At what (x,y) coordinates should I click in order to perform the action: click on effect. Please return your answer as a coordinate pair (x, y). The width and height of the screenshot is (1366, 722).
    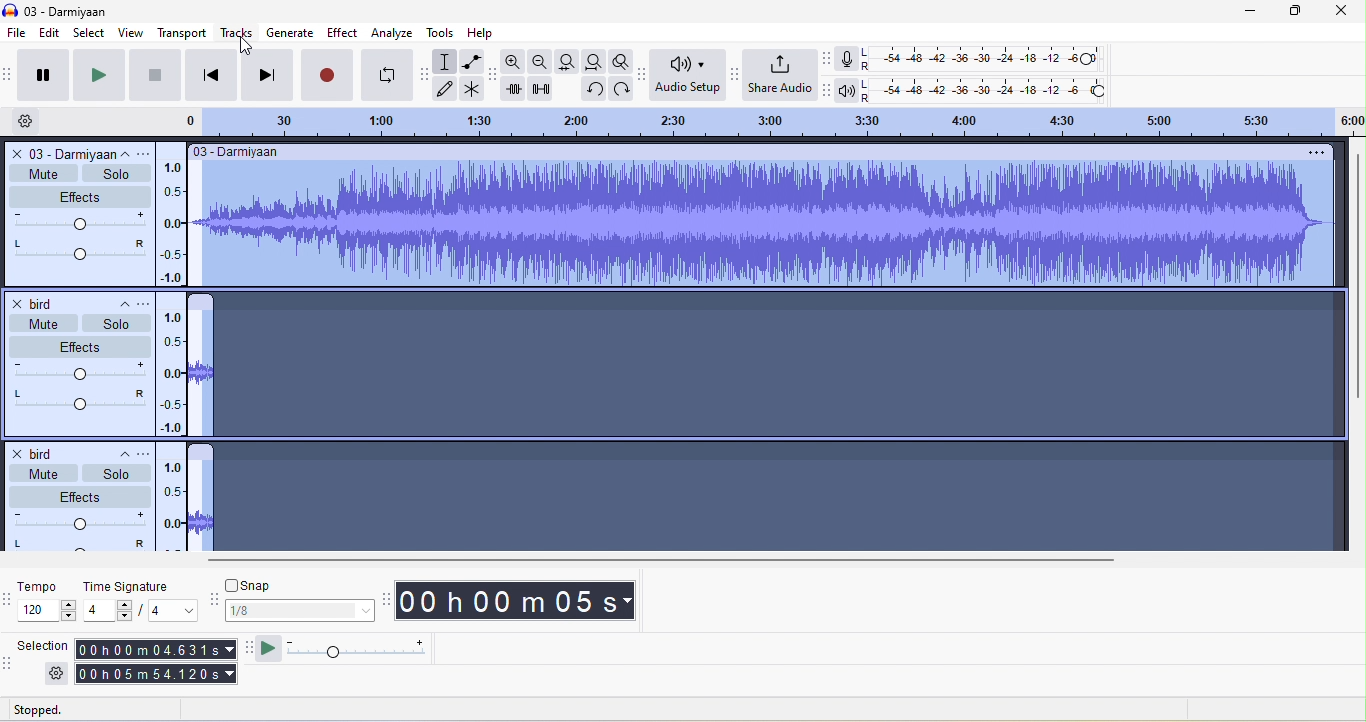
    Looking at the image, I should click on (78, 196).